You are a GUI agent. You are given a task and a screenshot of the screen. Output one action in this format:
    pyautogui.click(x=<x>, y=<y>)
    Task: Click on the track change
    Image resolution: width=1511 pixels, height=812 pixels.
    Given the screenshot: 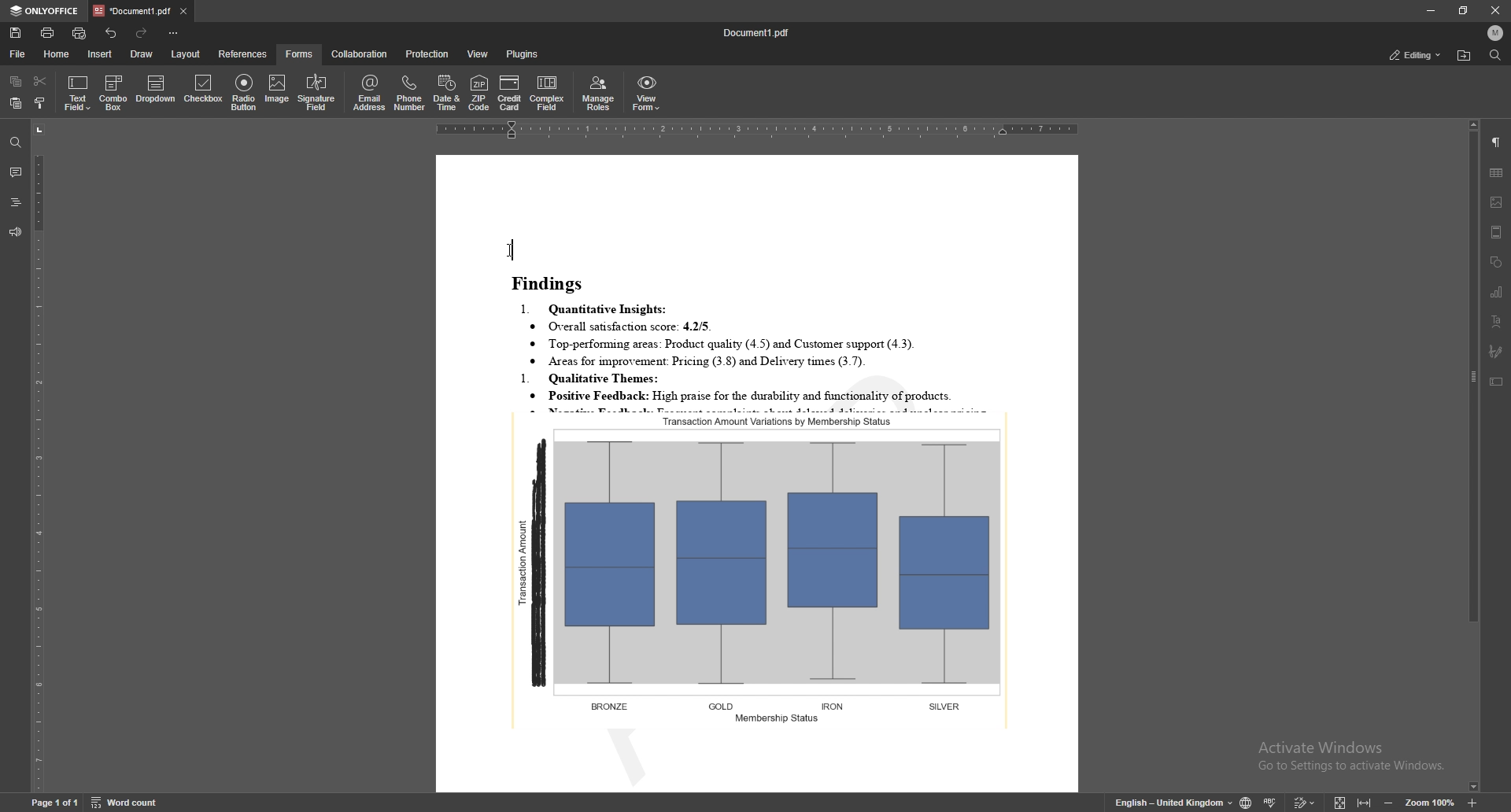 What is the action you would take?
    pyautogui.click(x=1304, y=802)
    